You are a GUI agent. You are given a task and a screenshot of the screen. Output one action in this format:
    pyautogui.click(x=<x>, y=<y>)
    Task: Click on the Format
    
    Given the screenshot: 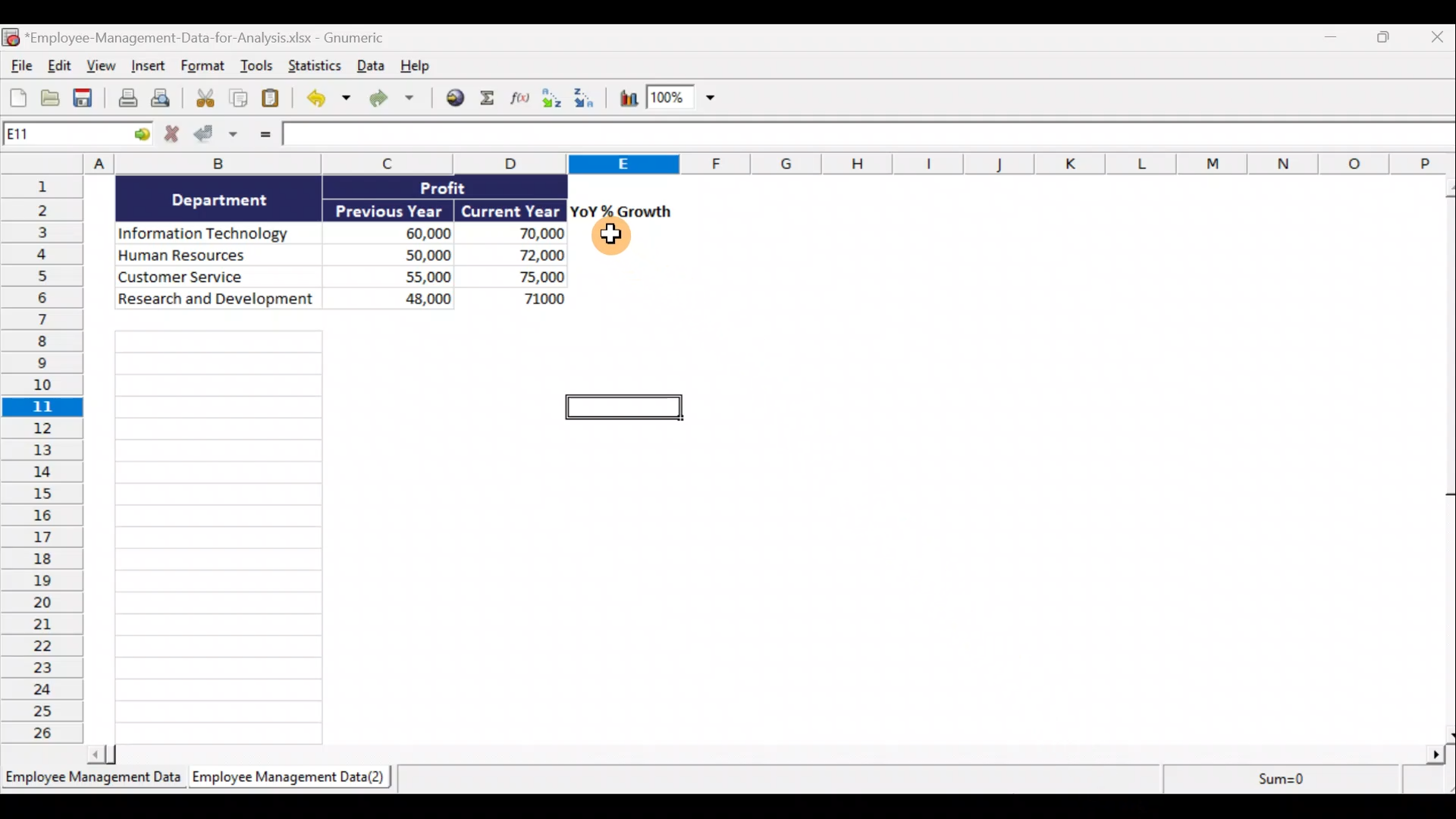 What is the action you would take?
    pyautogui.click(x=204, y=67)
    